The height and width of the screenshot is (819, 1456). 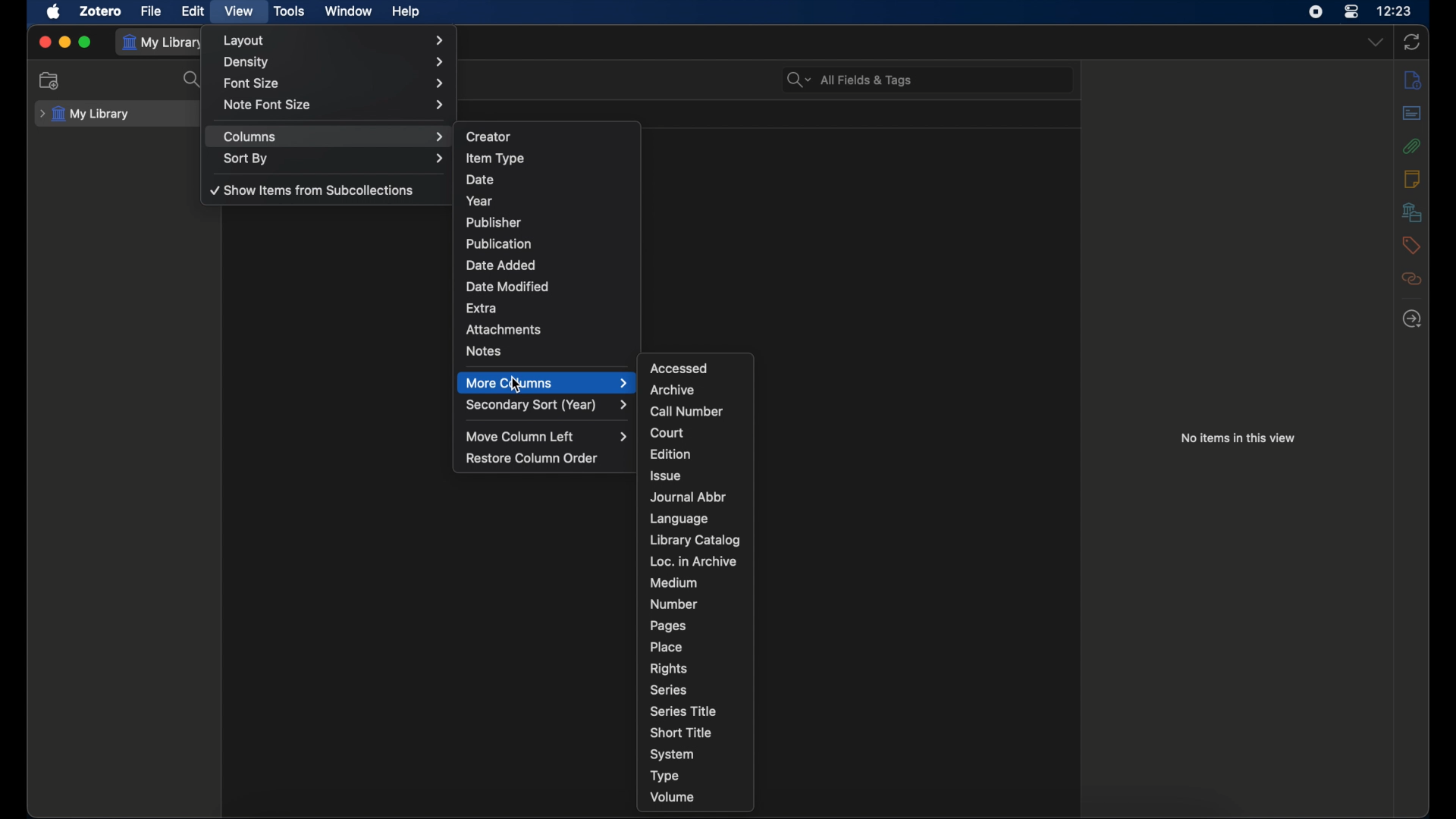 What do you see at coordinates (1351, 12) in the screenshot?
I see `control center` at bounding box center [1351, 12].